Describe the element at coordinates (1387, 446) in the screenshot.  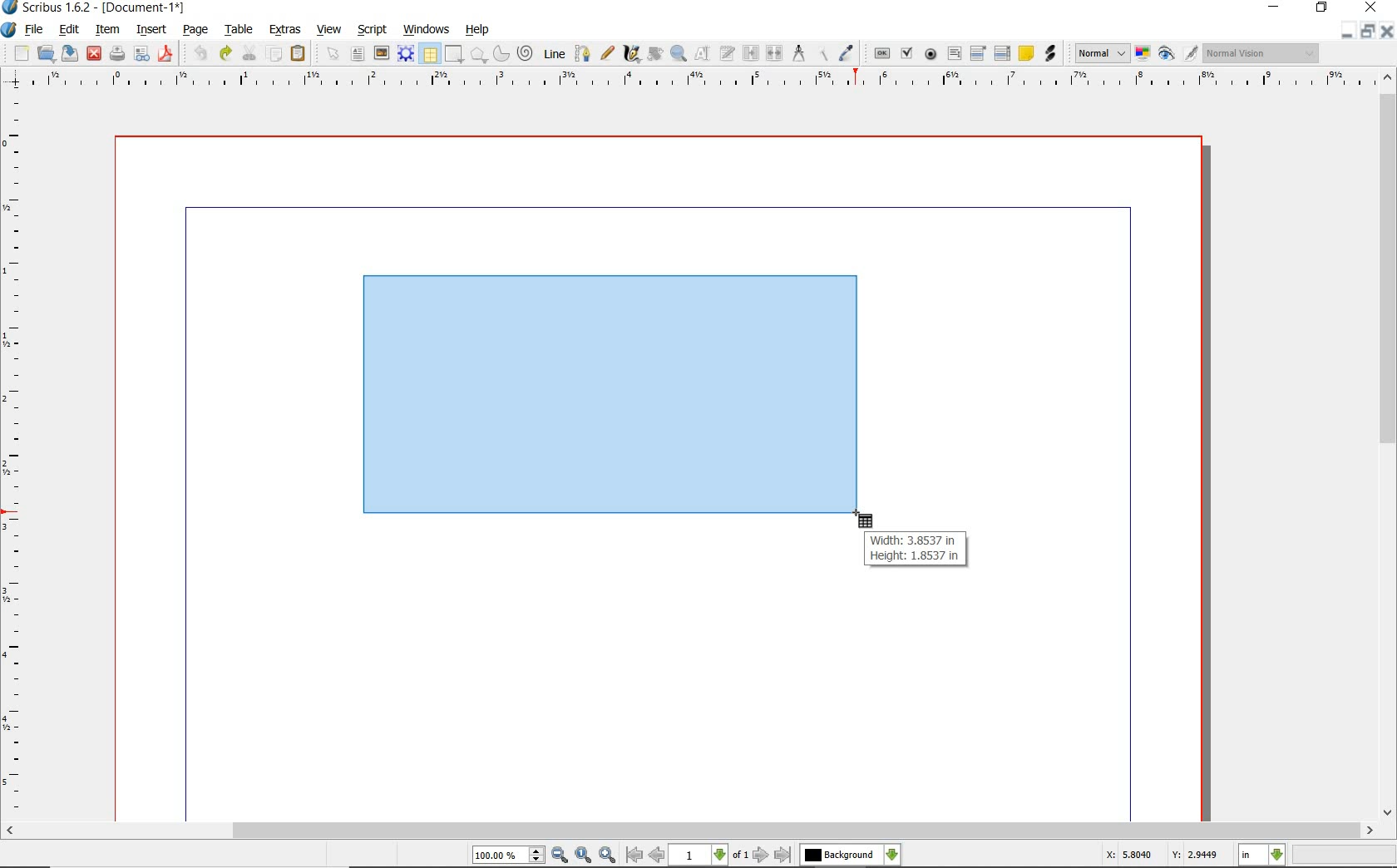
I see `scrollbar` at that location.